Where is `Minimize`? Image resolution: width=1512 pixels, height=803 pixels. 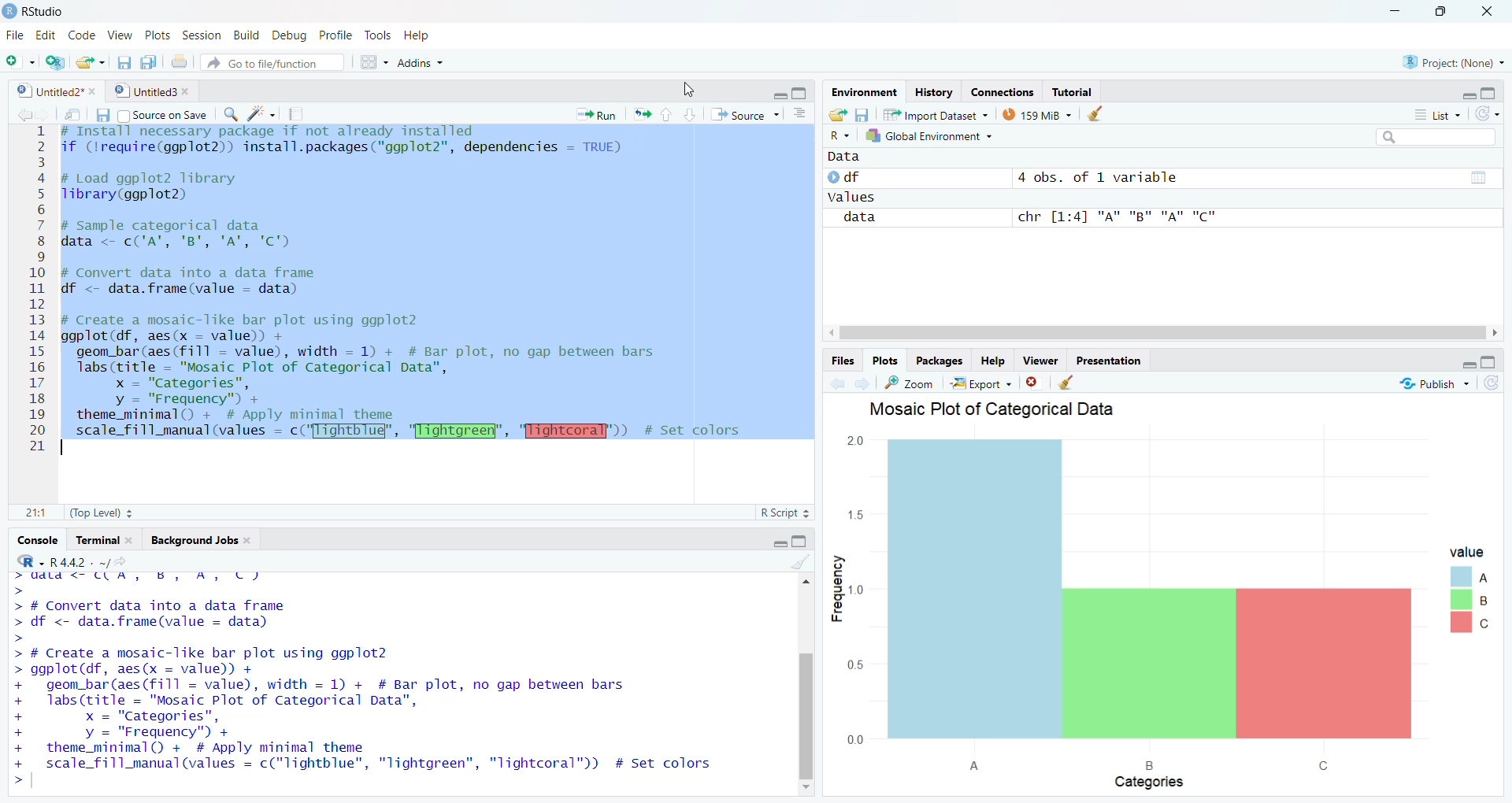 Minimize is located at coordinates (1397, 12).